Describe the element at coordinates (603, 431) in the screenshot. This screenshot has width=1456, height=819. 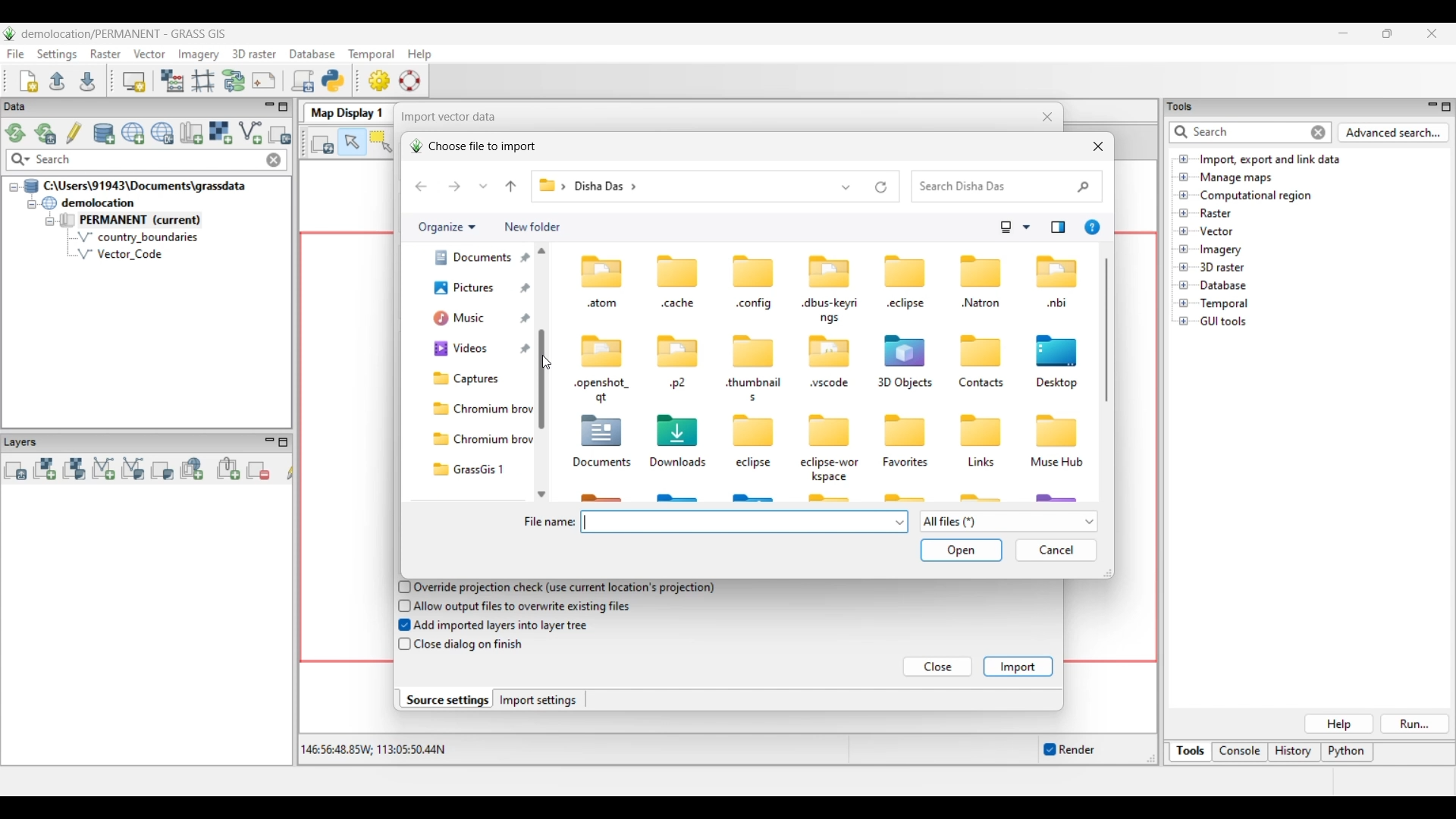
I see `icon` at that location.